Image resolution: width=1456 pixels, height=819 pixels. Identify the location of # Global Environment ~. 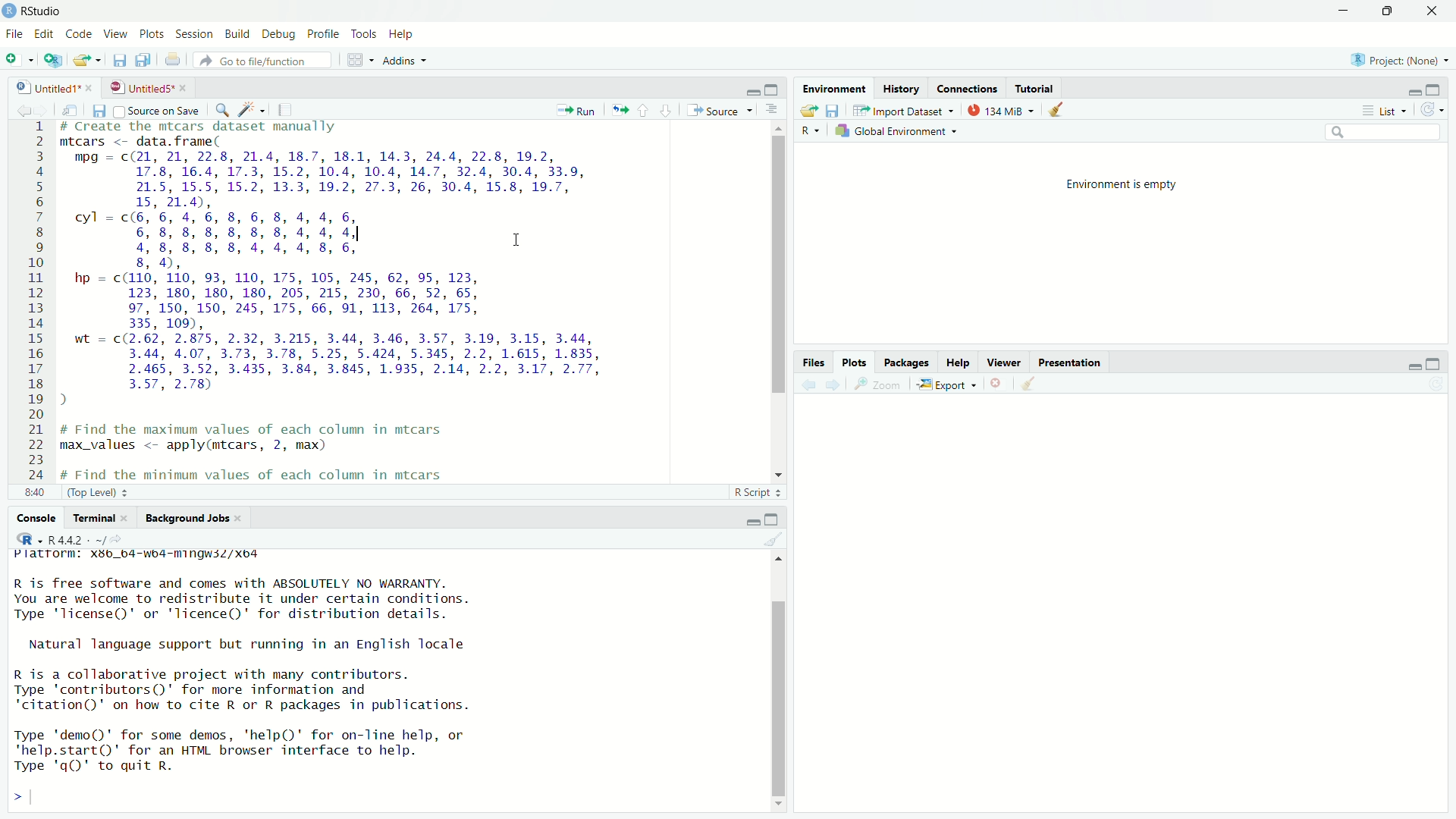
(899, 133).